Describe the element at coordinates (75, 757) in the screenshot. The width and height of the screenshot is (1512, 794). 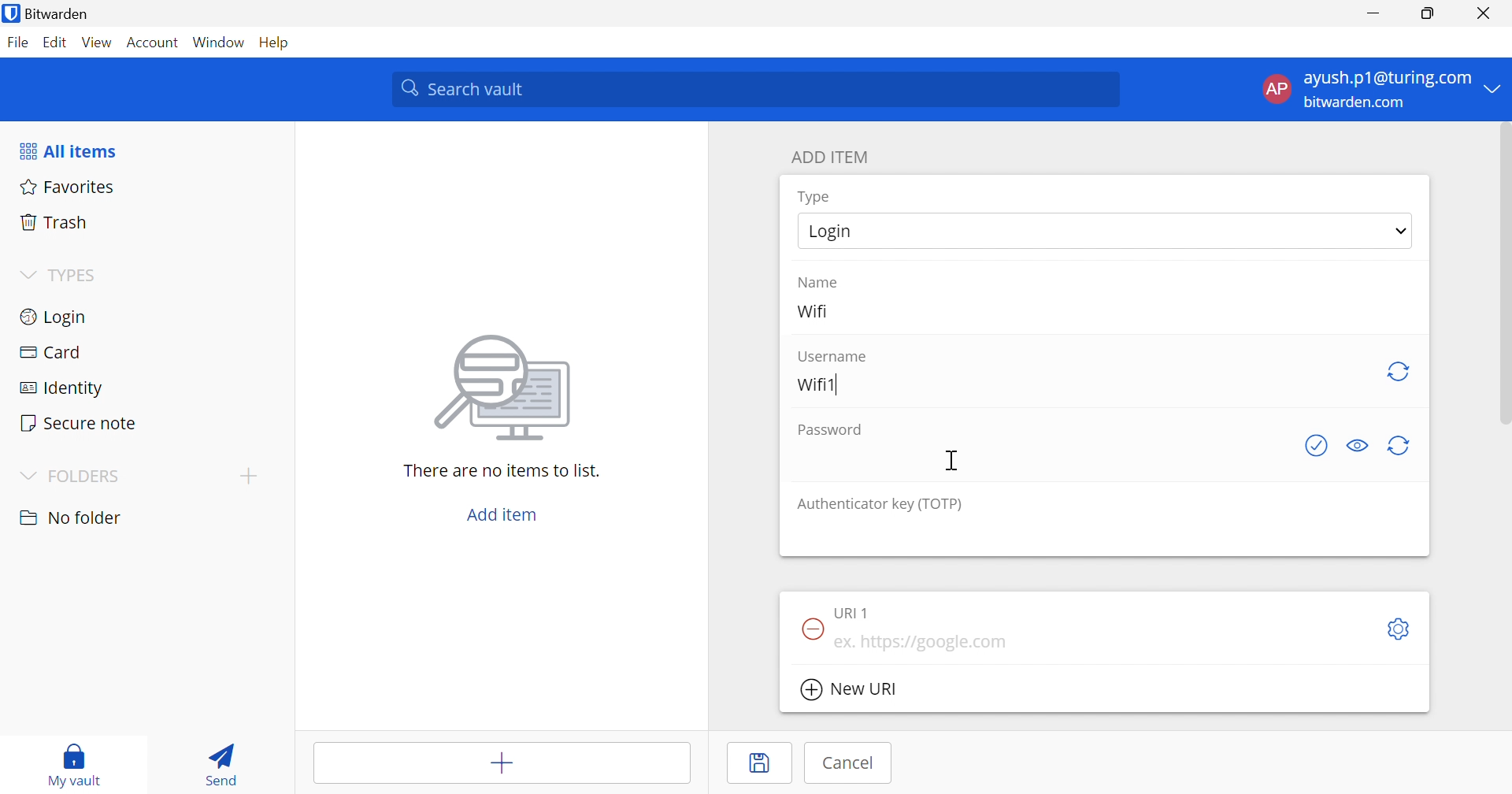
I see `My vault` at that location.